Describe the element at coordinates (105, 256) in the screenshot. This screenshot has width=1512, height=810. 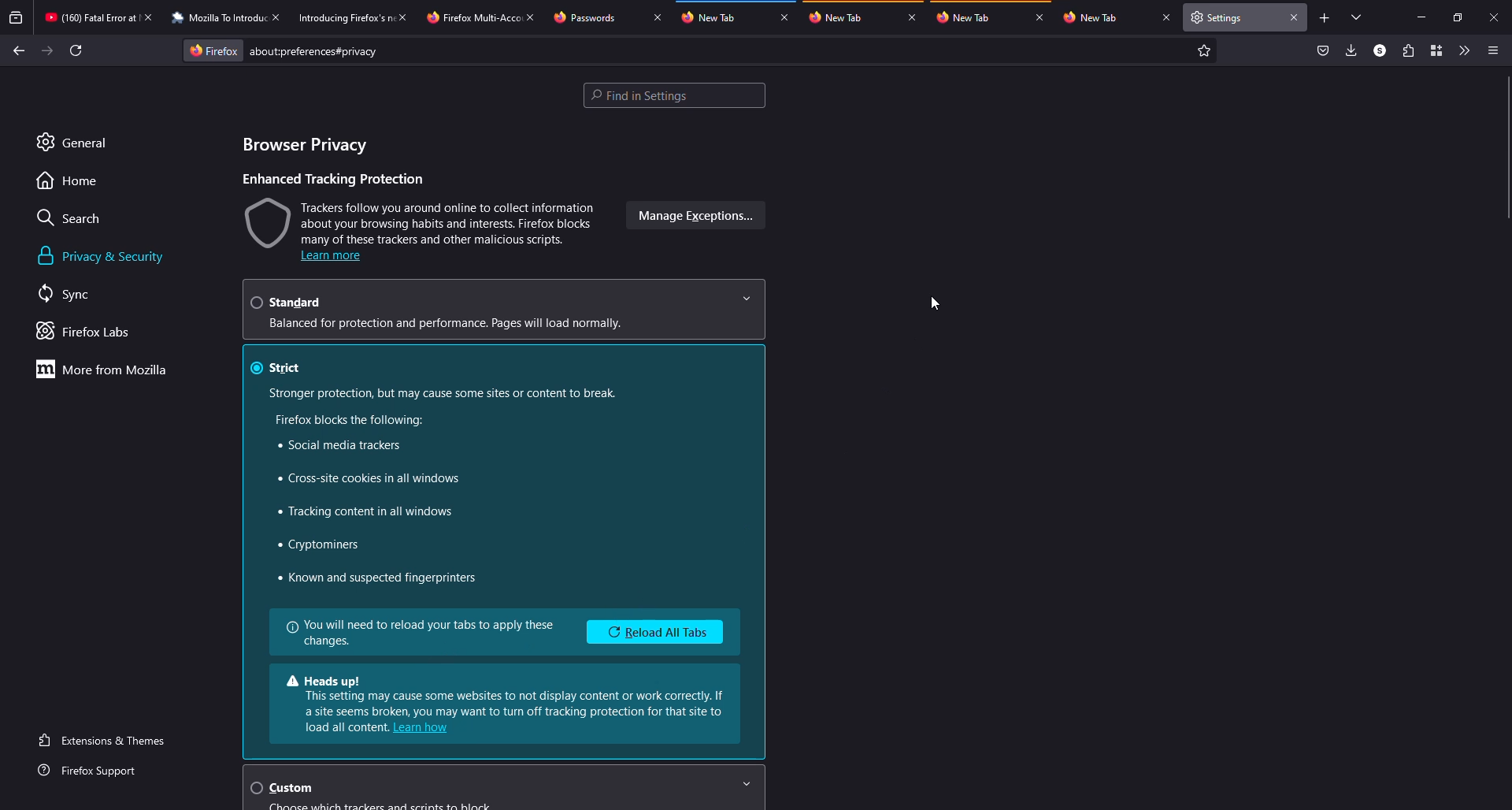
I see `privacy & security` at that location.